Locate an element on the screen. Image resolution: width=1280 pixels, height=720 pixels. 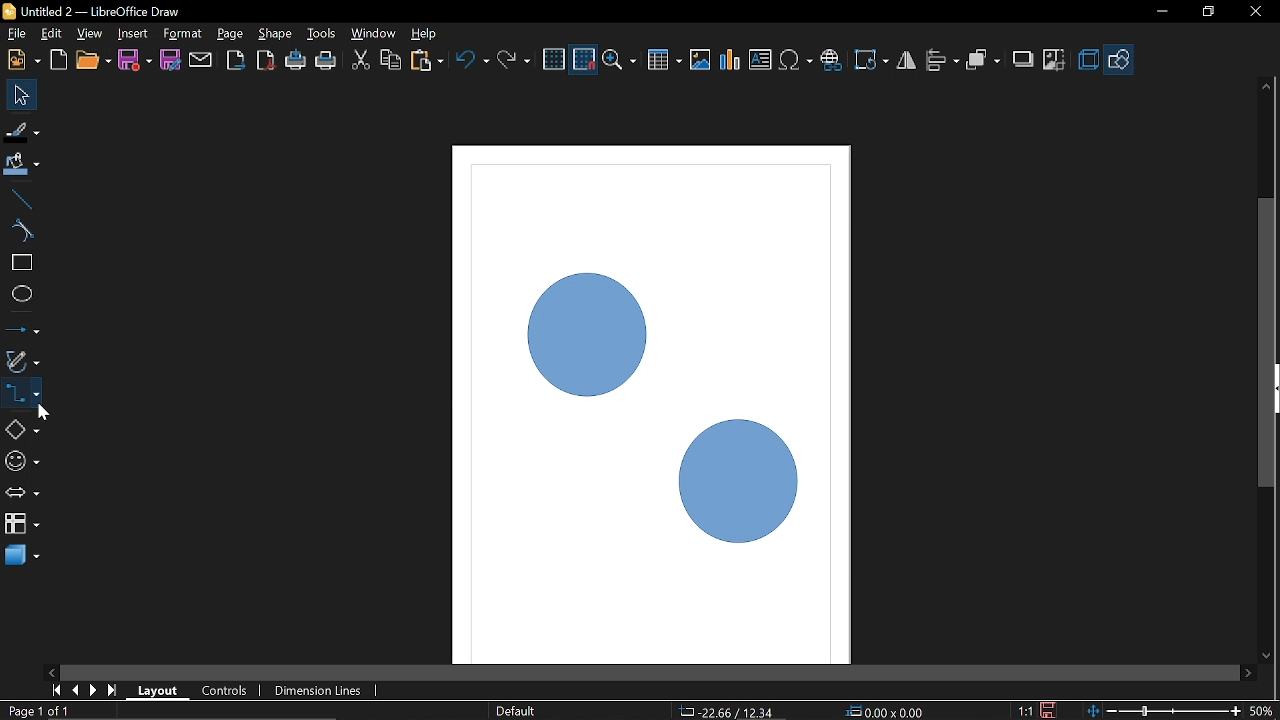
Insert table is located at coordinates (665, 60).